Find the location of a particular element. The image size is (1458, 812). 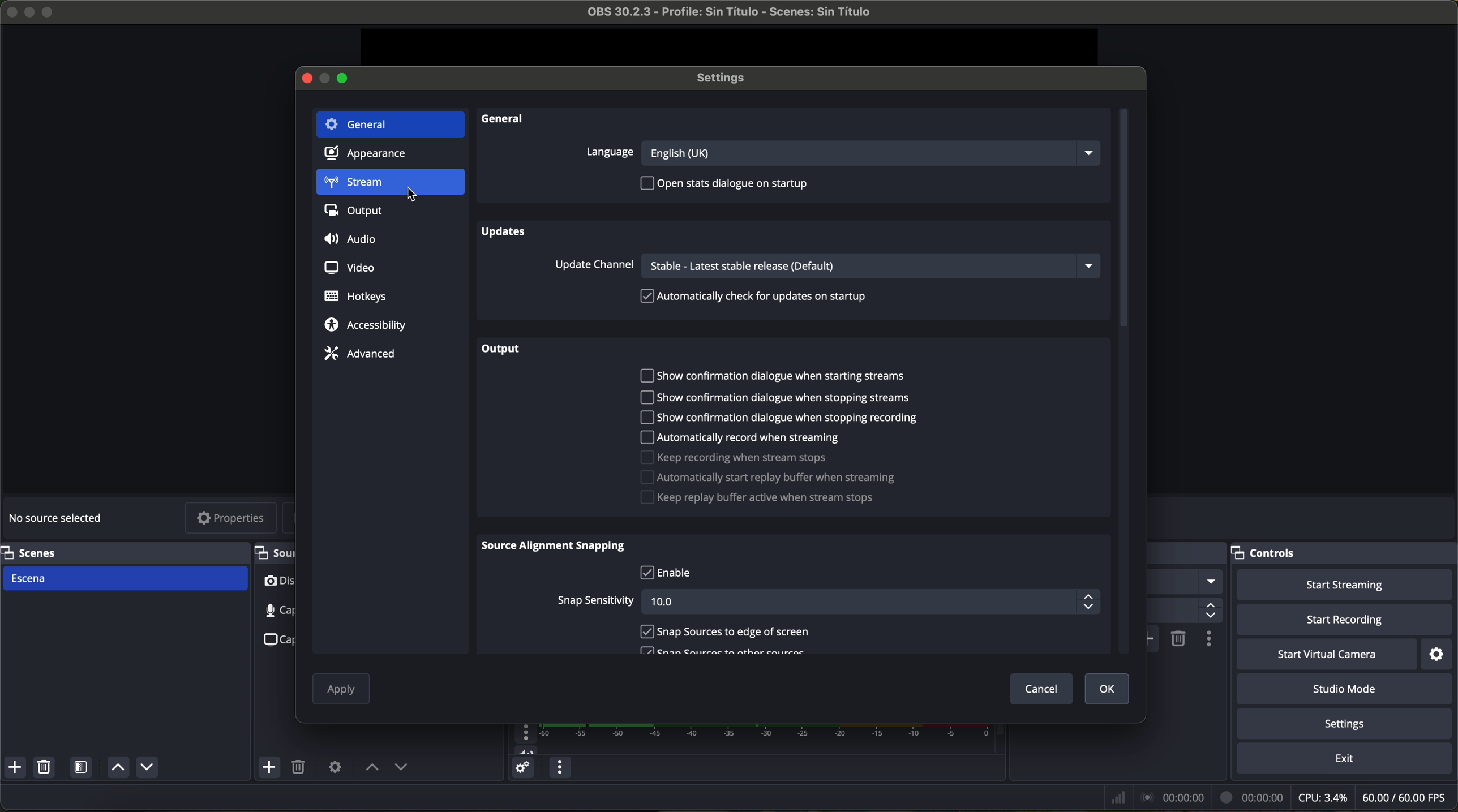

disable replay buffer is located at coordinates (756, 500).